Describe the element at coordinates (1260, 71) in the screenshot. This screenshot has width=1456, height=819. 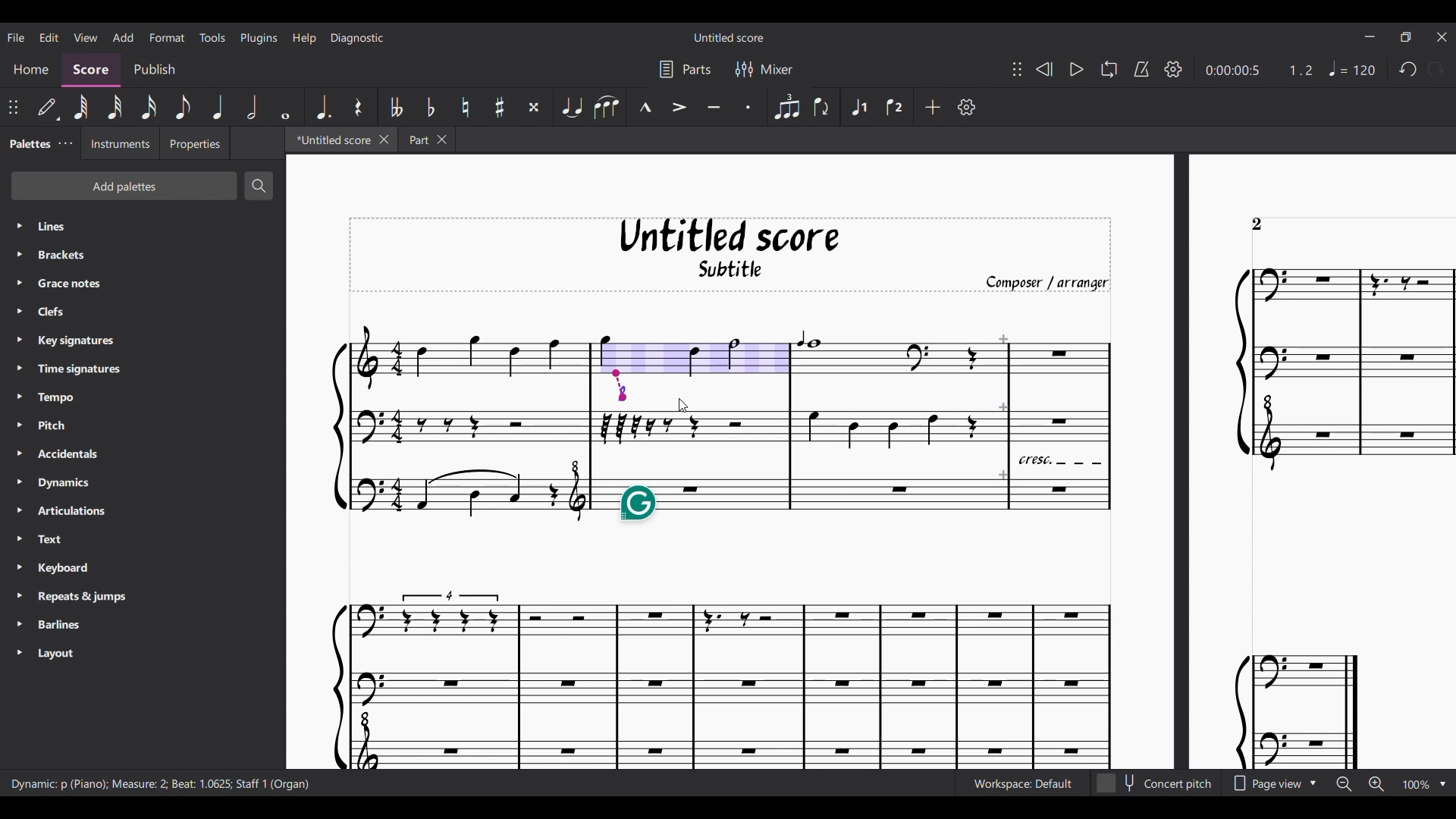
I see `Current duration and ratio changed` at that location.